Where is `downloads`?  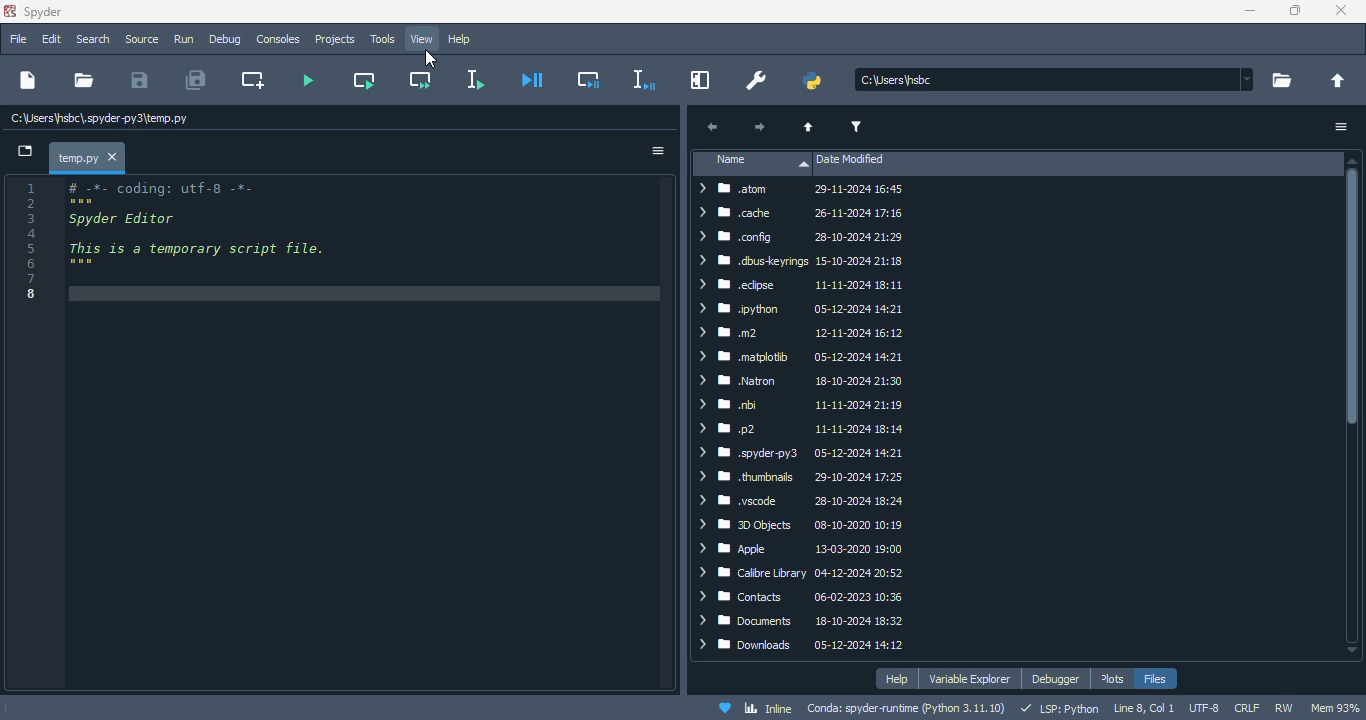 downloads is located at coordinates (806, 645).